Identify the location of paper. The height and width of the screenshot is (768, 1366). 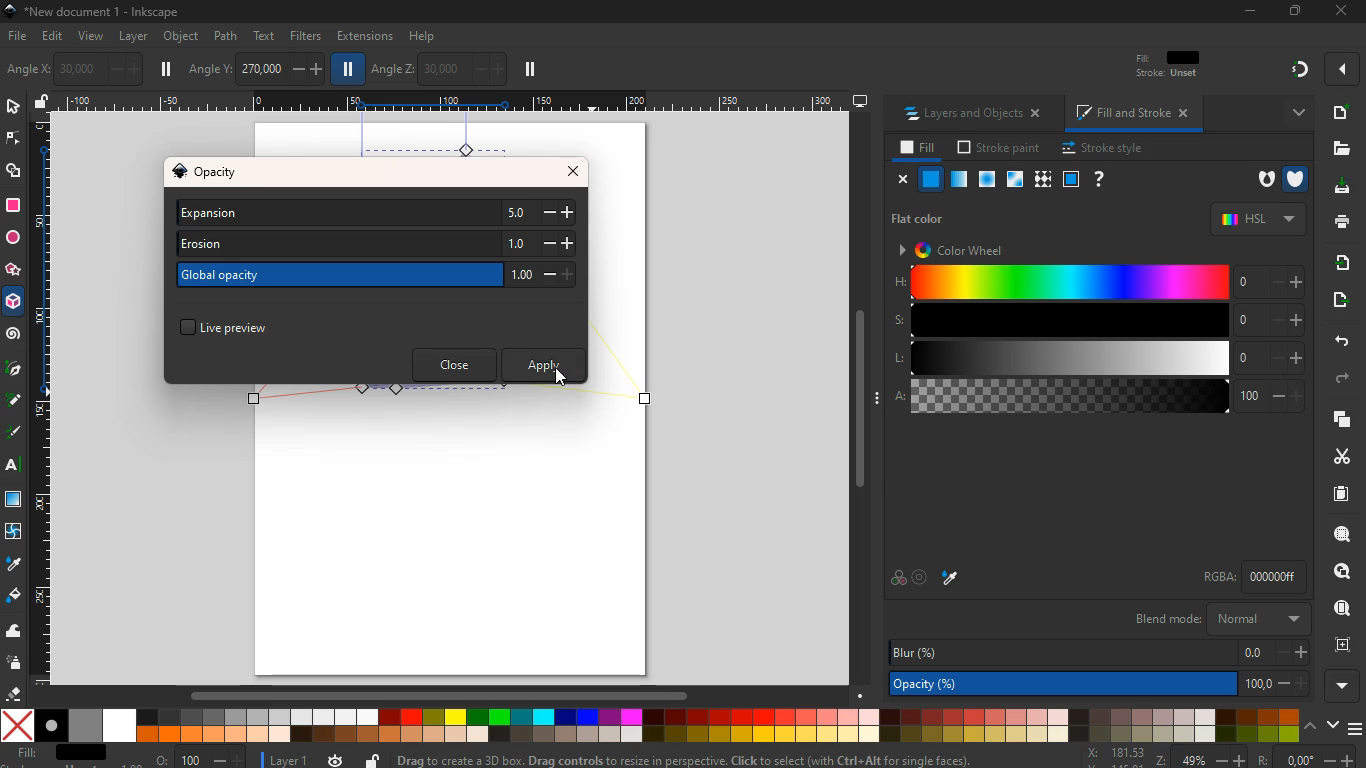
(1332, 494).